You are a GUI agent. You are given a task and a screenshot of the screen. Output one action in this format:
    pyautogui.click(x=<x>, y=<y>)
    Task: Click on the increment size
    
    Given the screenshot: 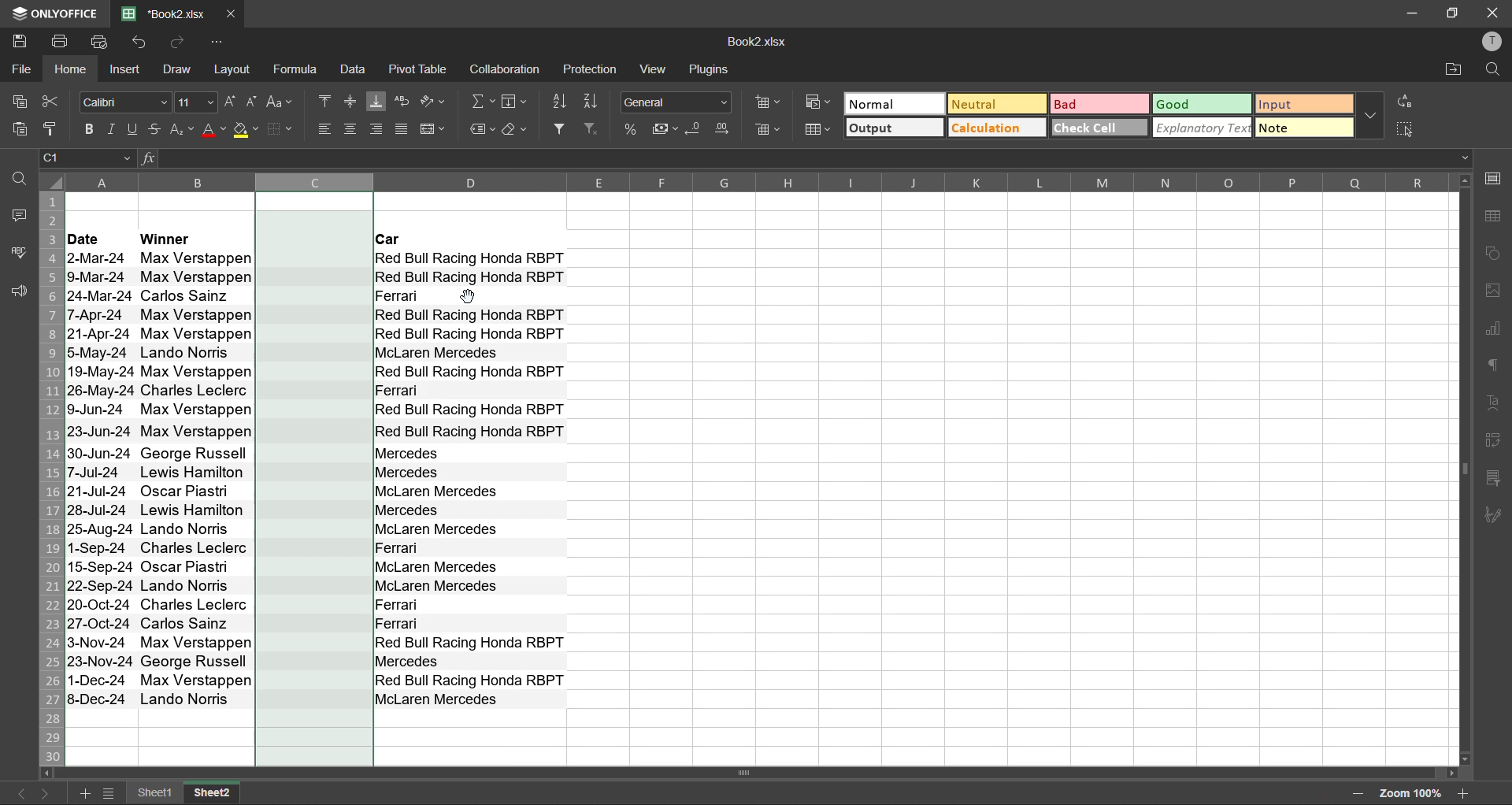 What is the action you would take?
    pyautogui.click(x=233, y=102)
    